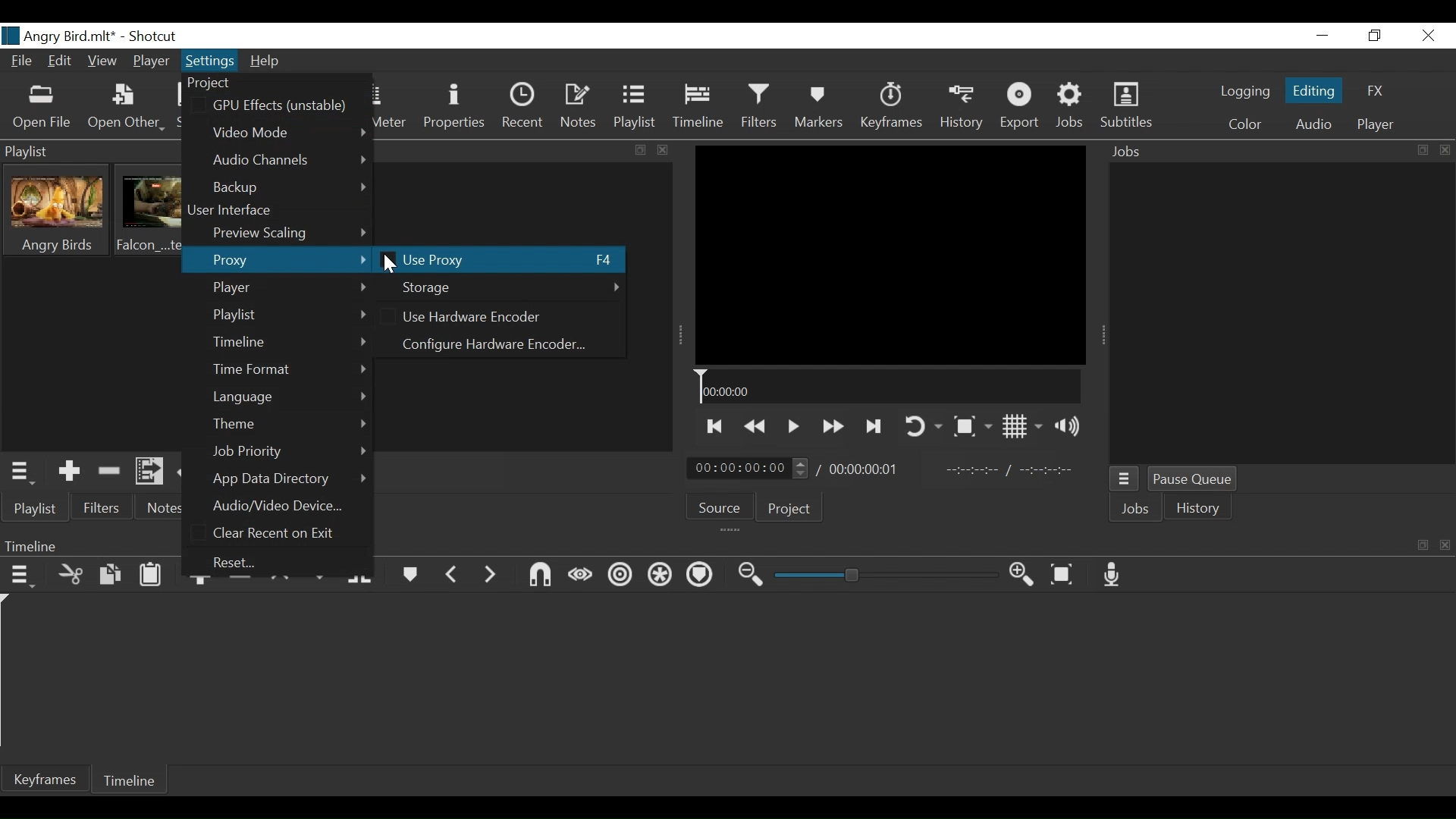 The height and width of the screenshot is (819, 1456). Describe the element at coordinates (1113, 573) in the screenshot. I see `Record audio` at that location.